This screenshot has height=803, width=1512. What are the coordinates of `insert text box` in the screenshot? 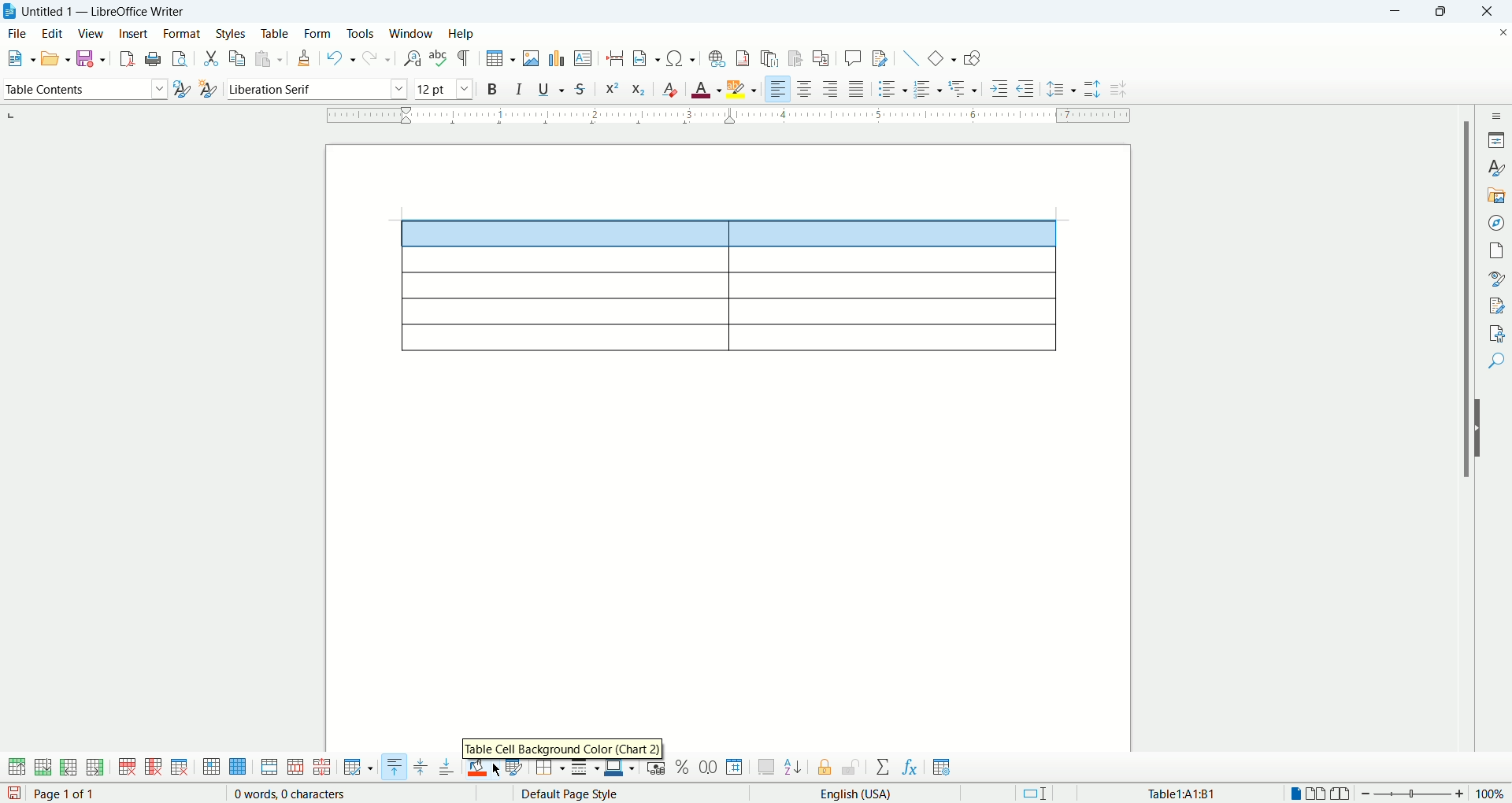 It's located at (584, 57).